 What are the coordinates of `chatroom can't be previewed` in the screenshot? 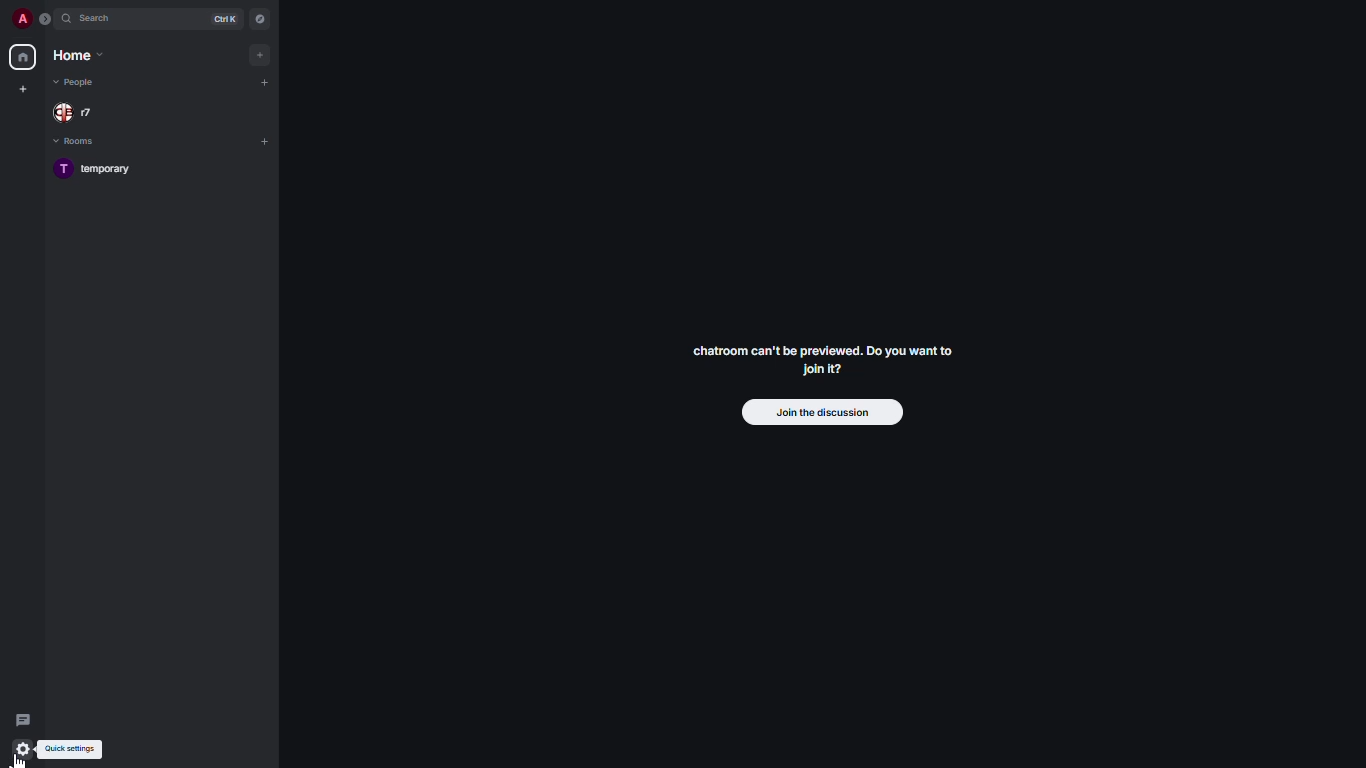 It's located at (826, 364).